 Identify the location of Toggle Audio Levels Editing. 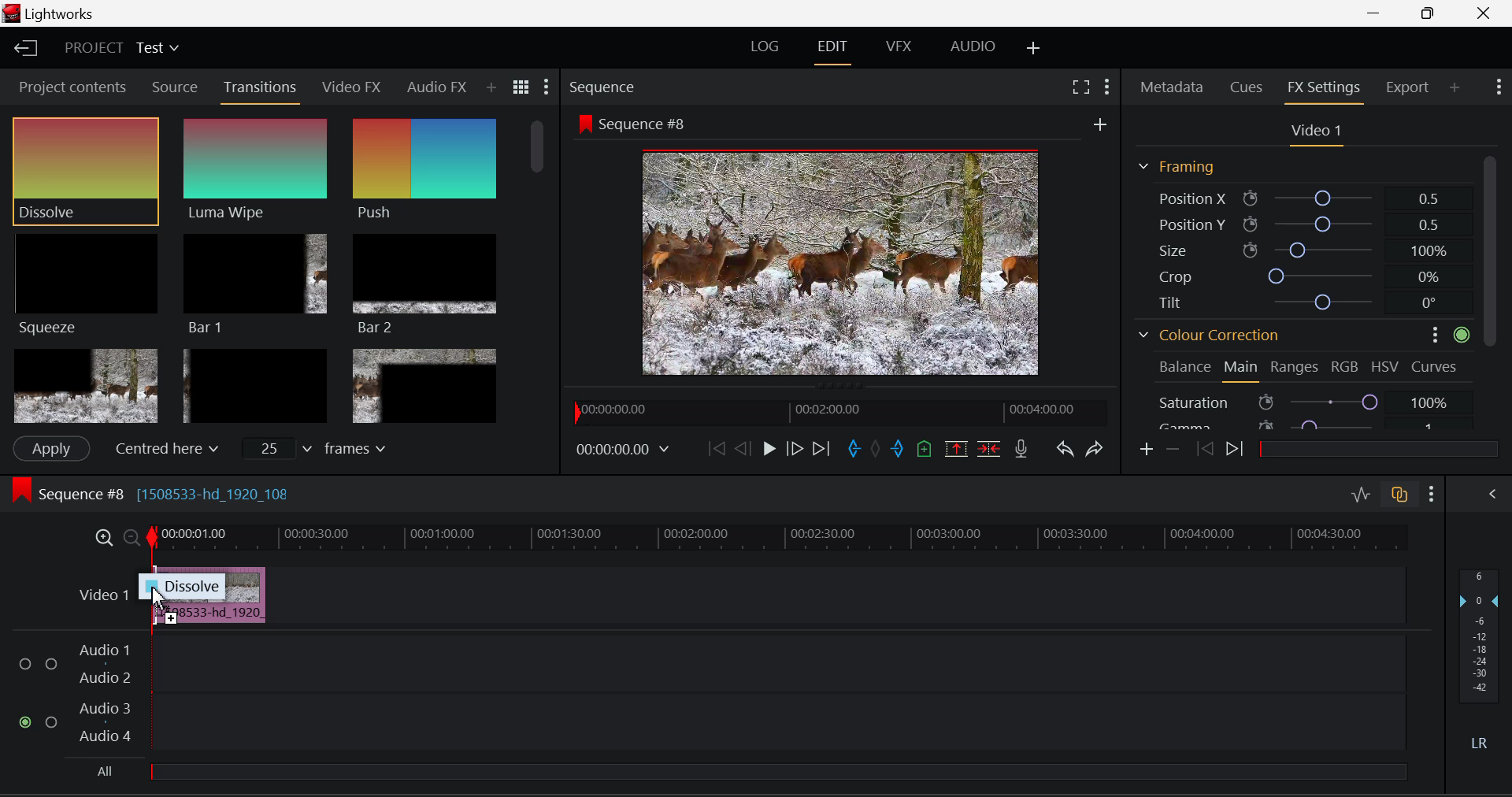
(1360, 498).